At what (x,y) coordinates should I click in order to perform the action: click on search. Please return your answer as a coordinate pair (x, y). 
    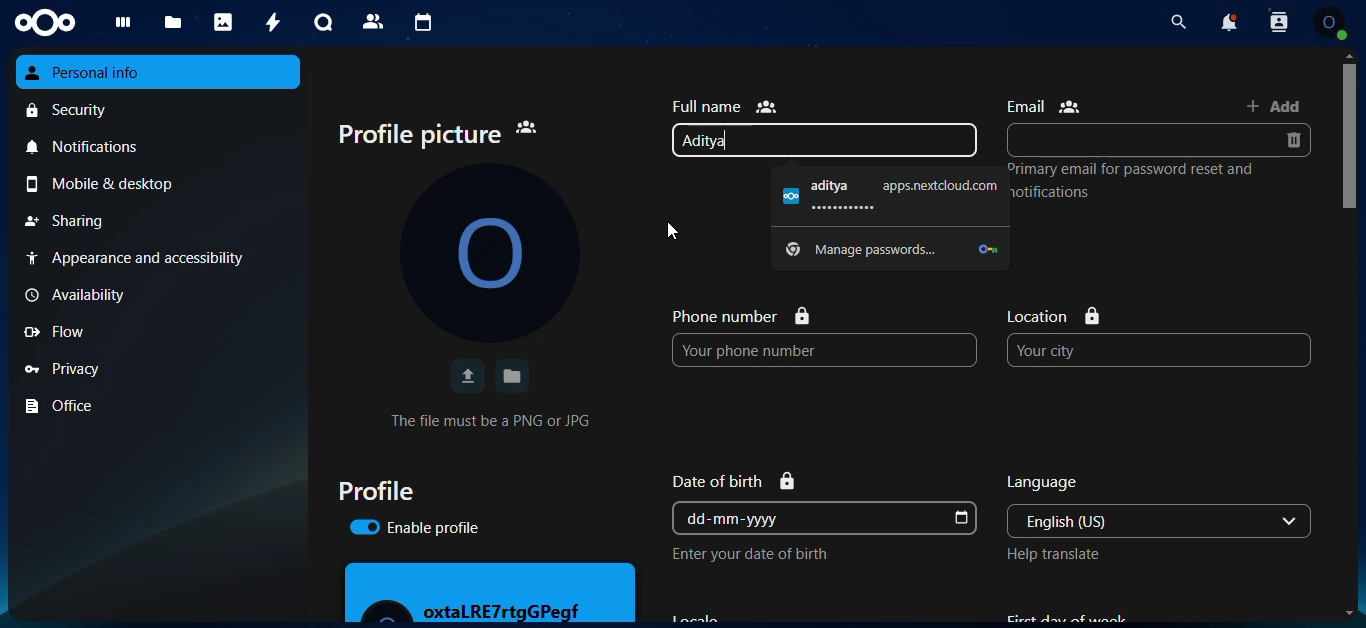
    Looking at the image, I should click on (1178, 22).